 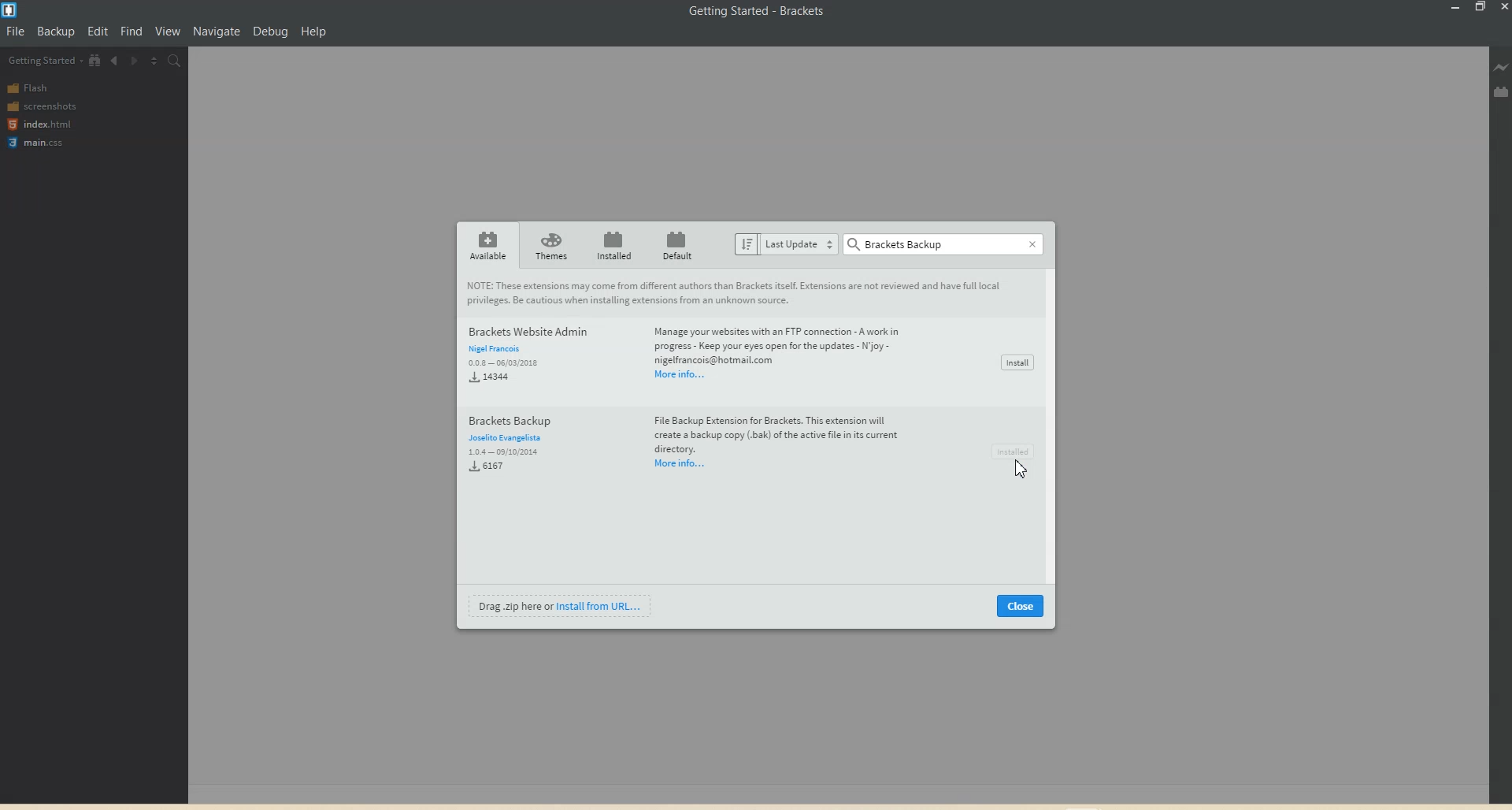 What do you see at coordinates (39, 124) in the screenshot?
I see `index.html` at bounding box center [39, 124].